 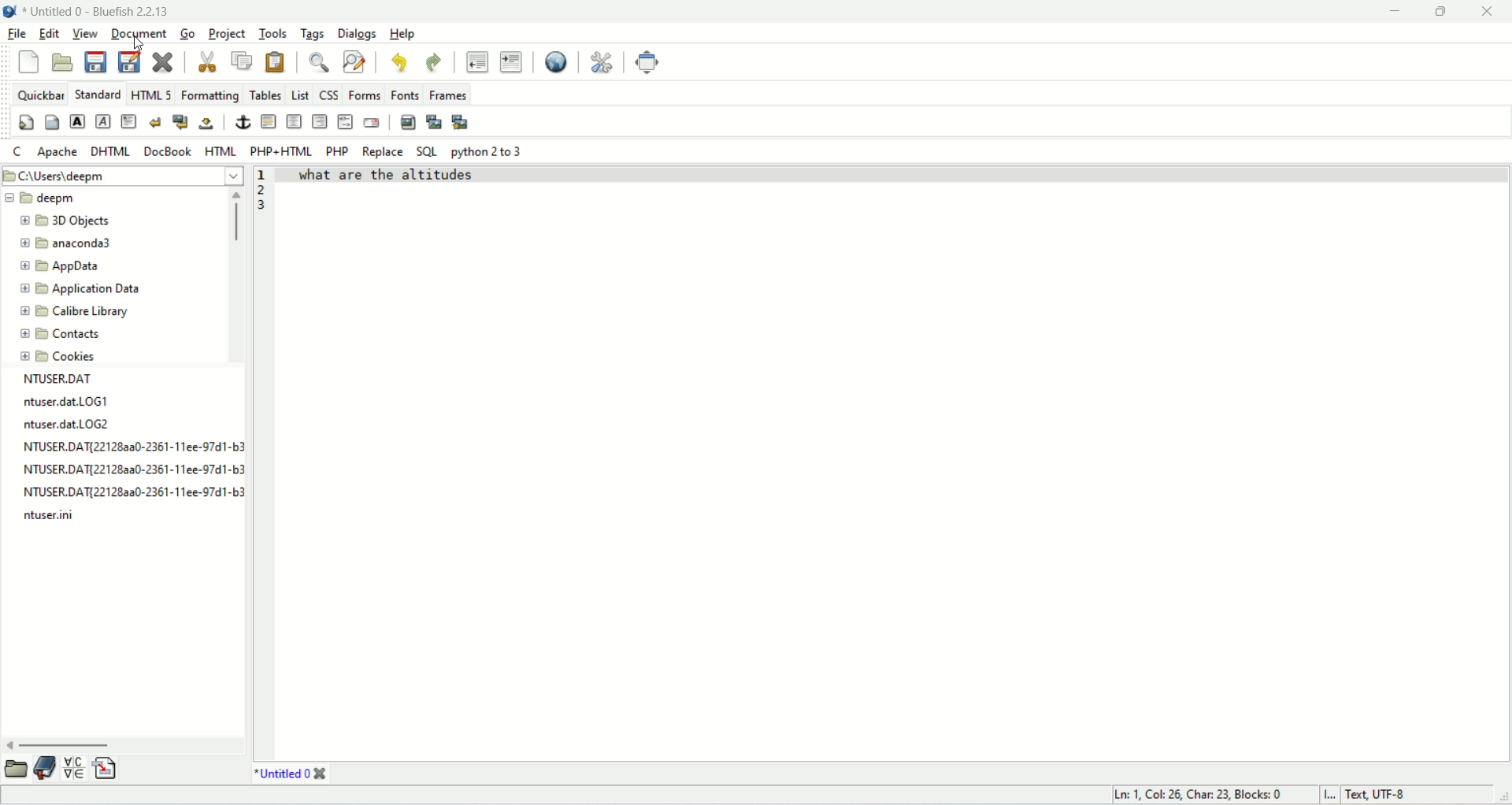 What do you see at coordinates (265, 189) in the screenshot?
I see `line number` at bounding box center [265, 189].